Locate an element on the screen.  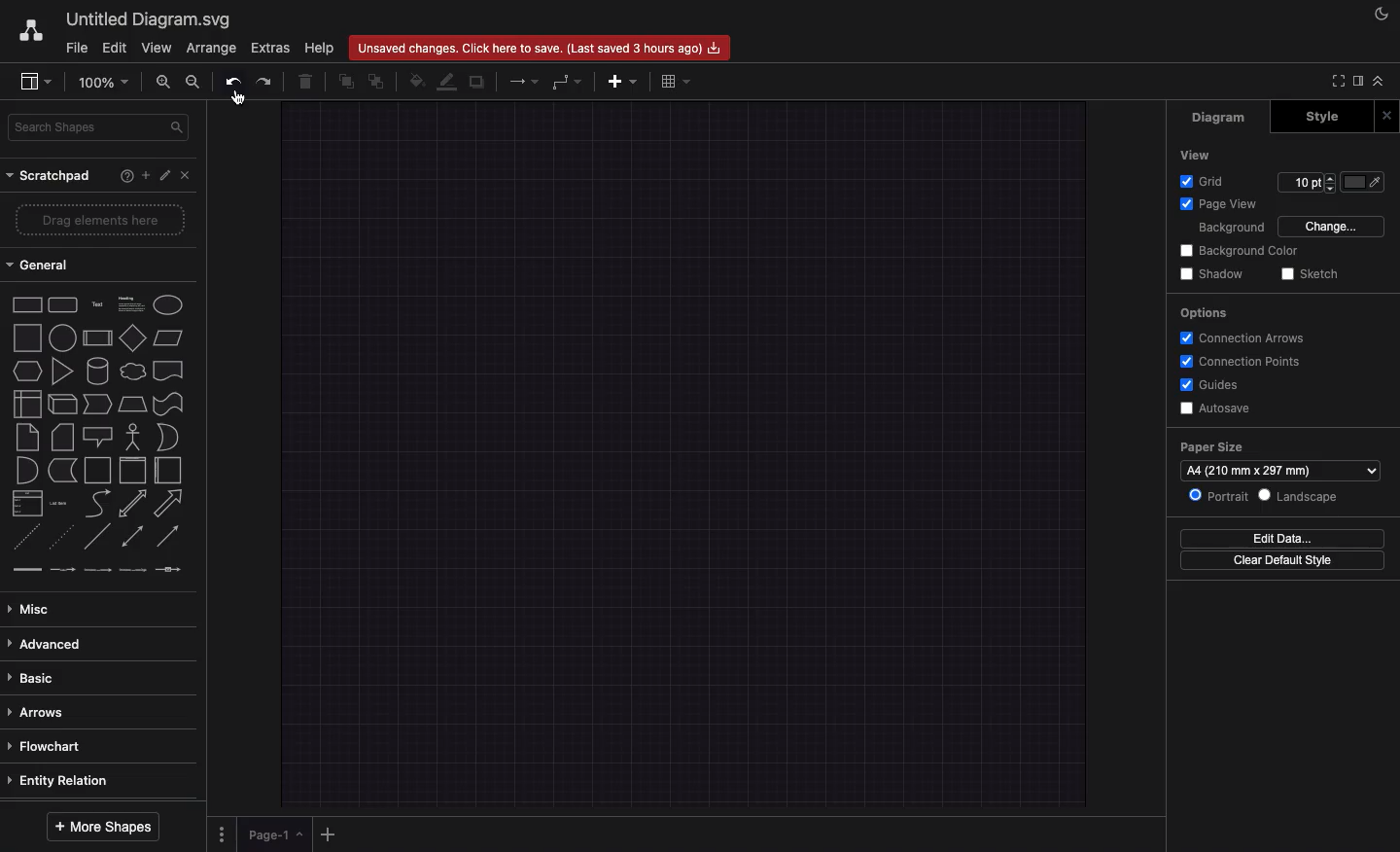
Redo is located at coordinates (268, 81).